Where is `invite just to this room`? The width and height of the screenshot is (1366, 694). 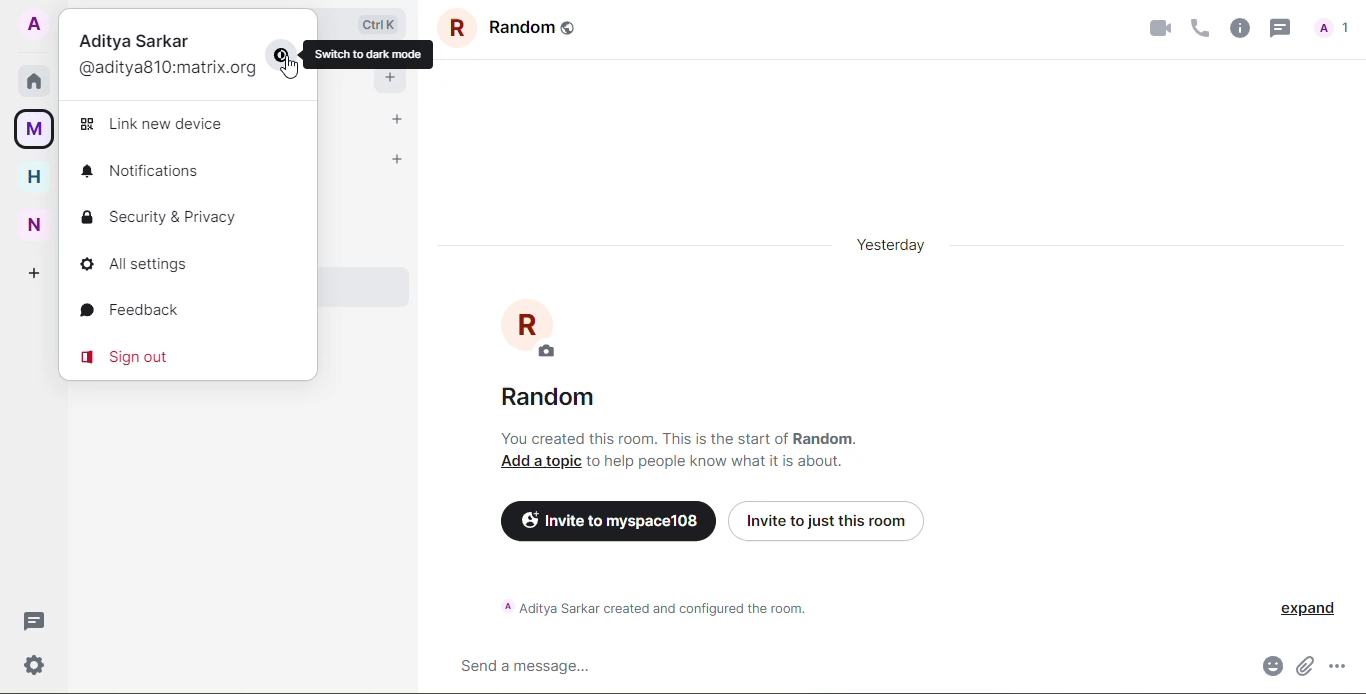
invite just to this room is located at coordinates (829, 520).